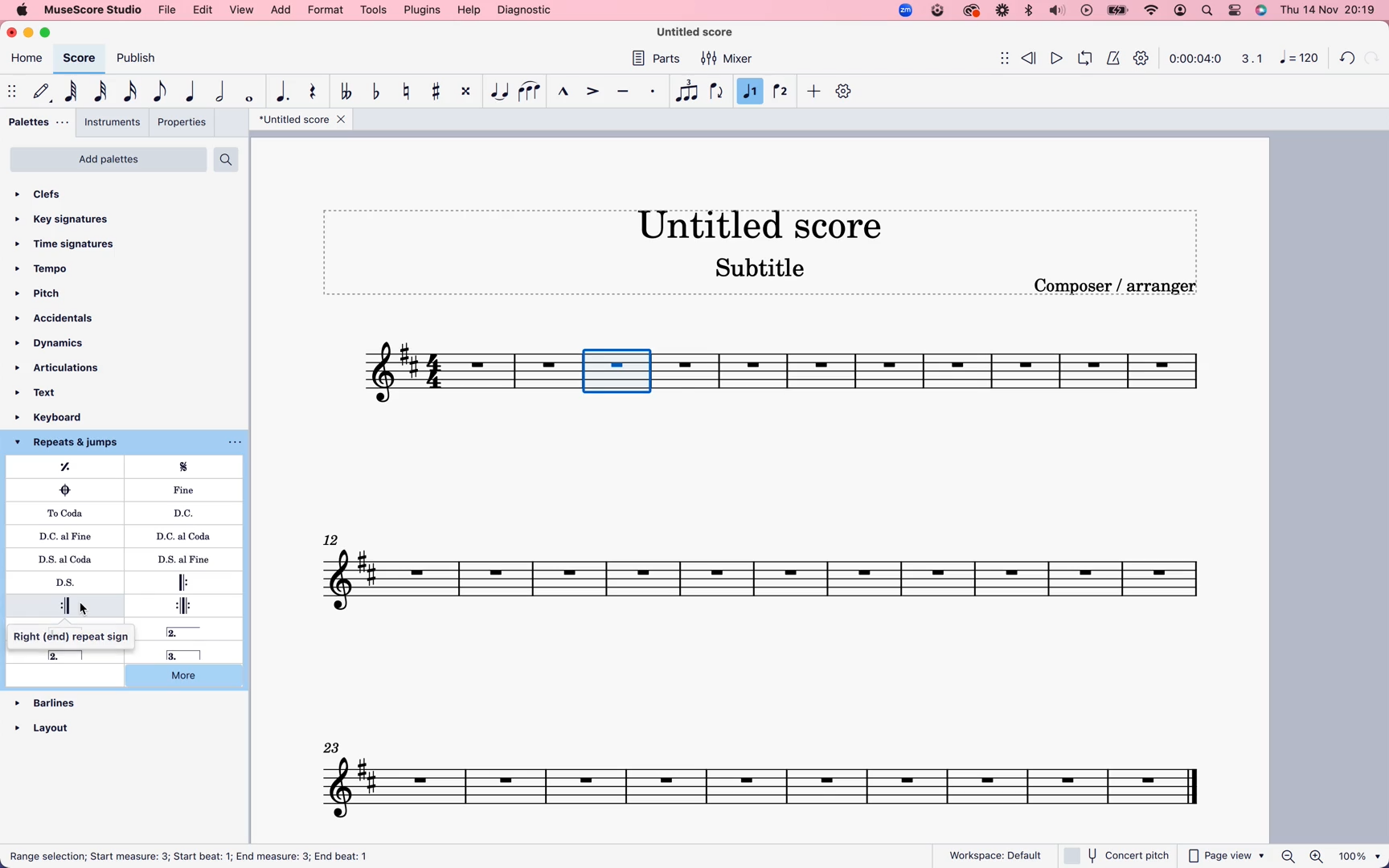 The width and height of the screenshot is (1389, 868). Describe the element at coordinates (187, 582) in the screenshot. I see `left start repeat sign` at that location.